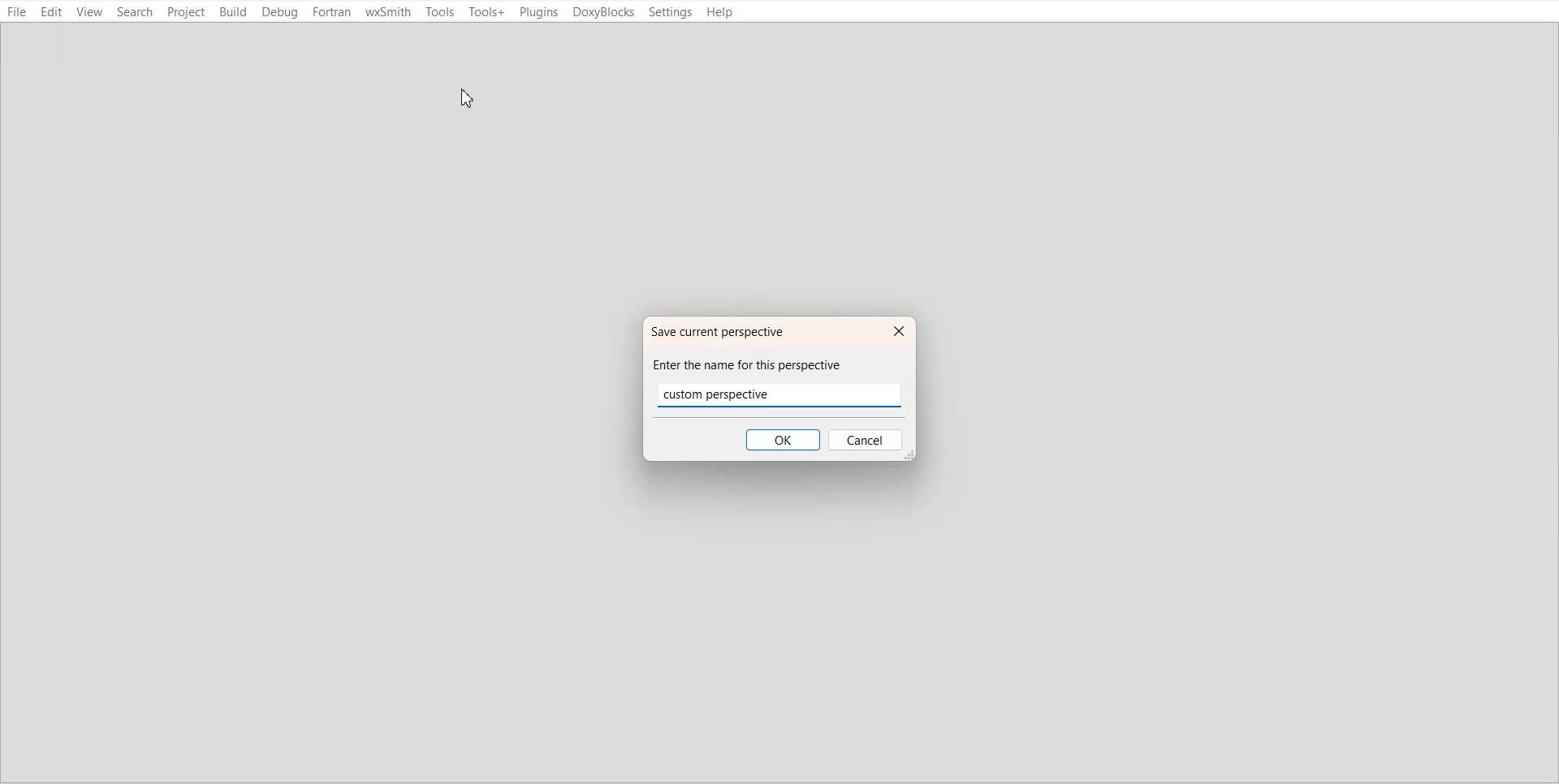 Image resolution: width=1559 pixels, height=784 pixels. I want to click on Help, so click(721, 12).